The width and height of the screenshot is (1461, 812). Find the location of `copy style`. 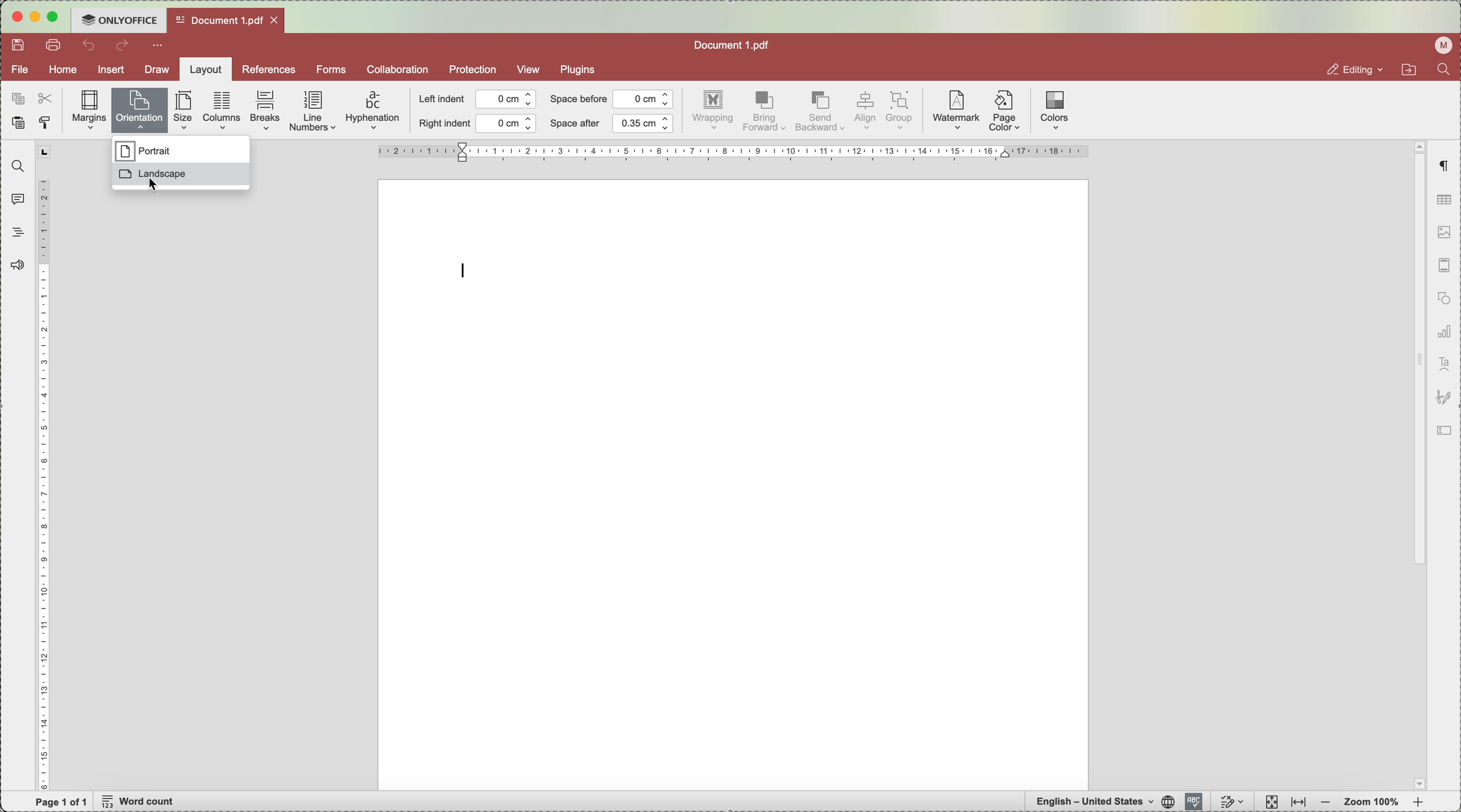

copy style is located at coordinates (48, 123).